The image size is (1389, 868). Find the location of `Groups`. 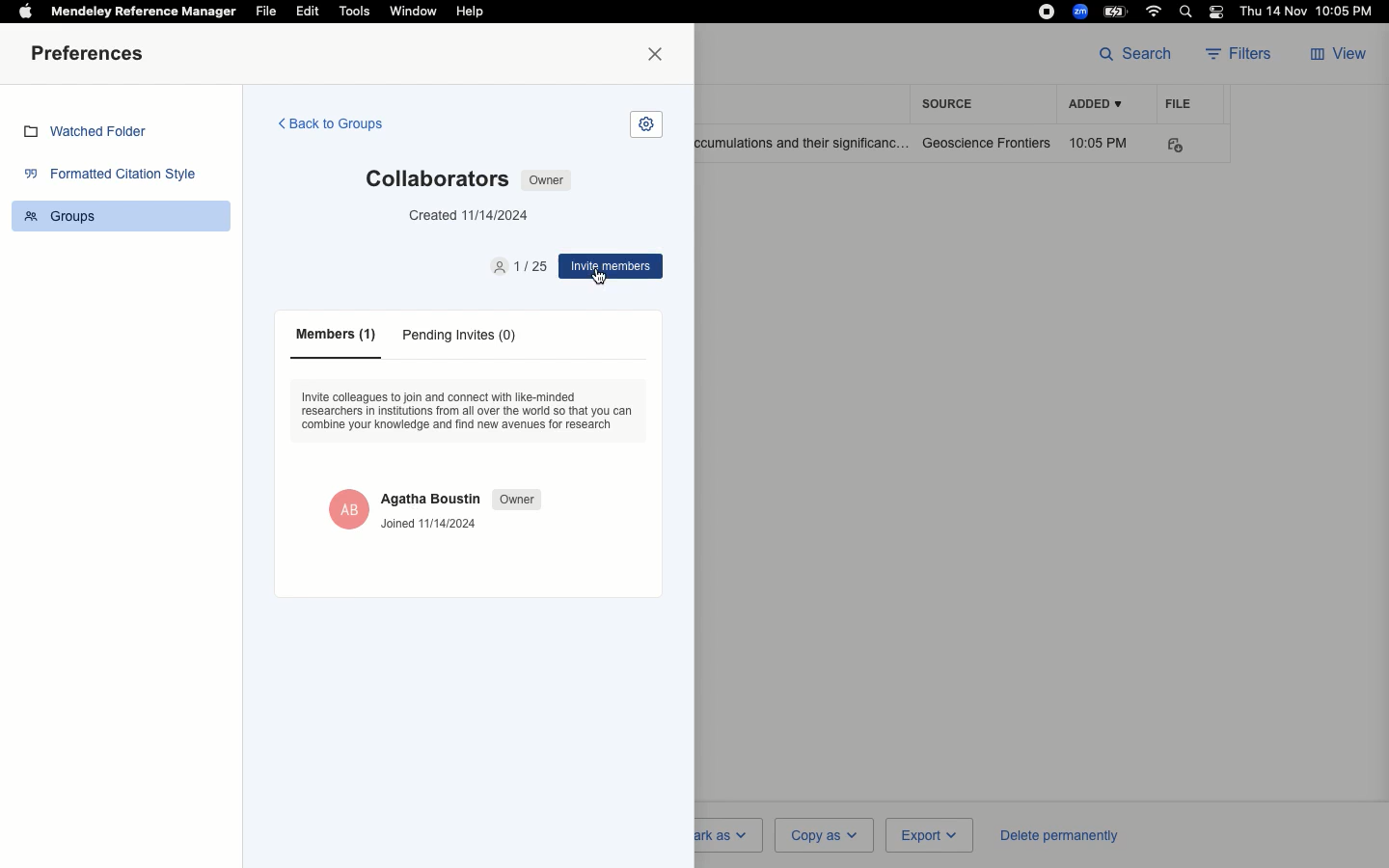

Groups is located at coordinates (69, 218).